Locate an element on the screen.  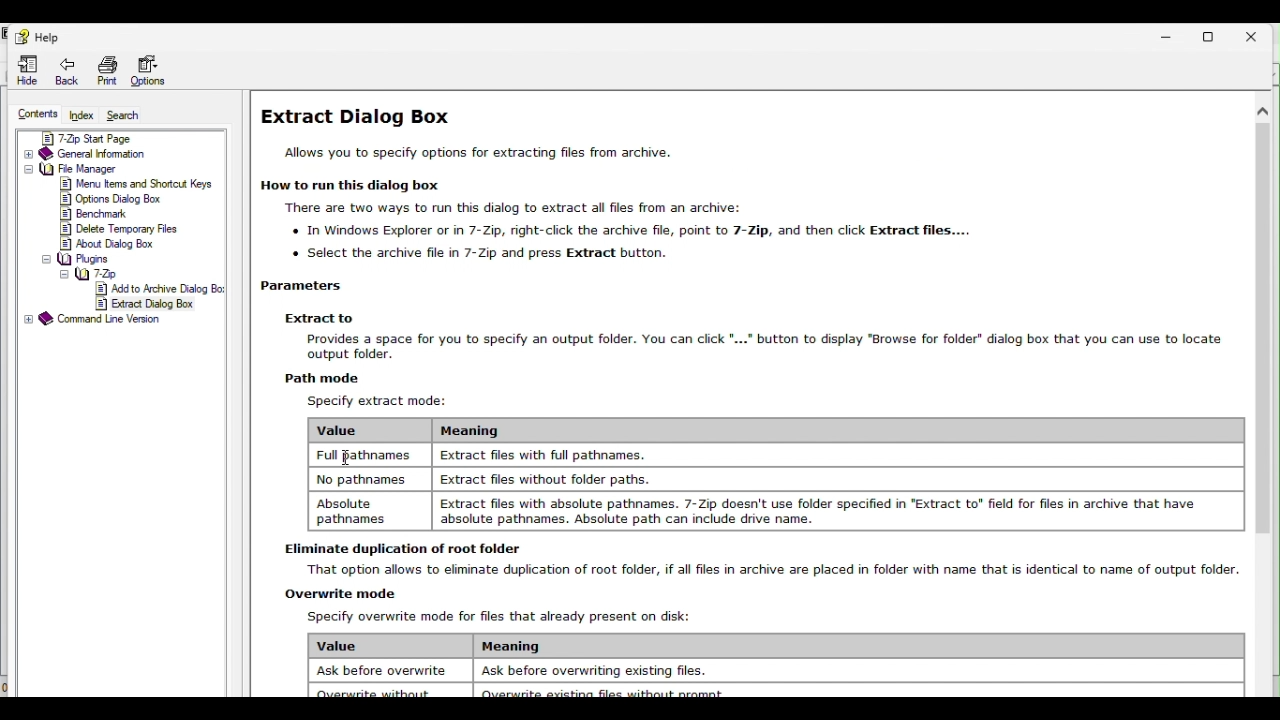
extract is located at coordinates (544, 479).